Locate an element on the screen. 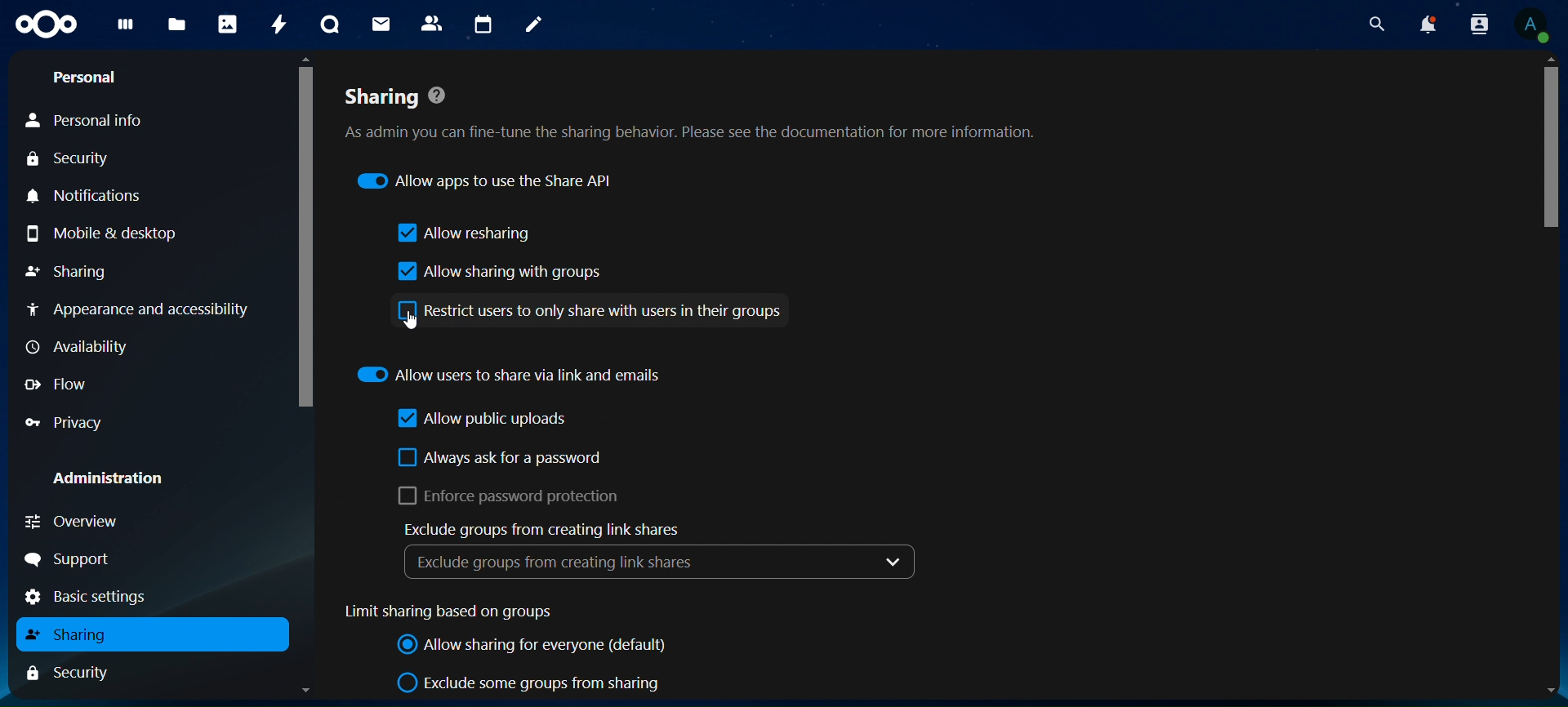 Image resolution: width=1568 pixels, height=707 pixels. always ask for password is located at coordinates (500, 457).